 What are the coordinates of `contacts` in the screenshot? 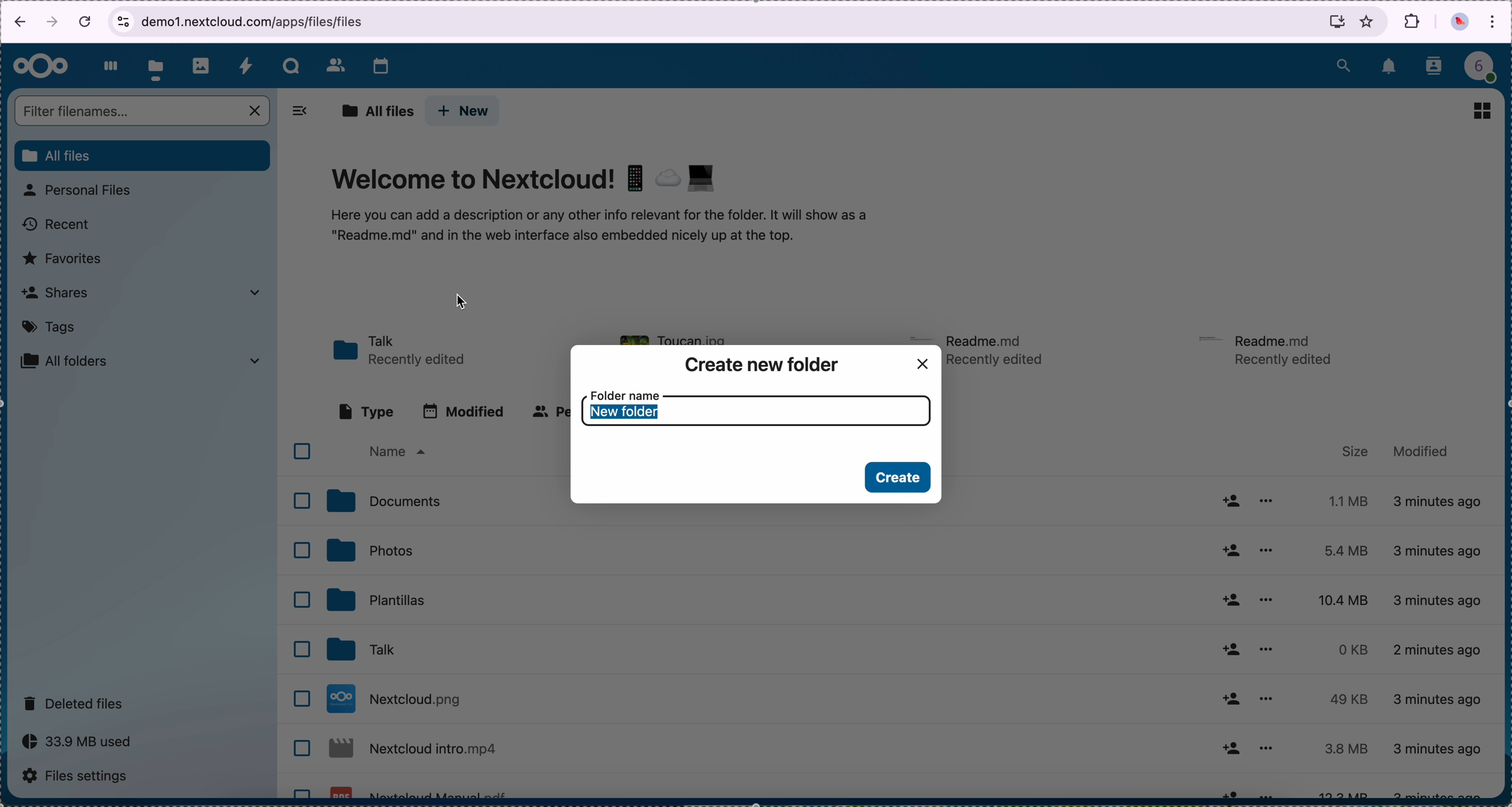 It's located at (335, 65).